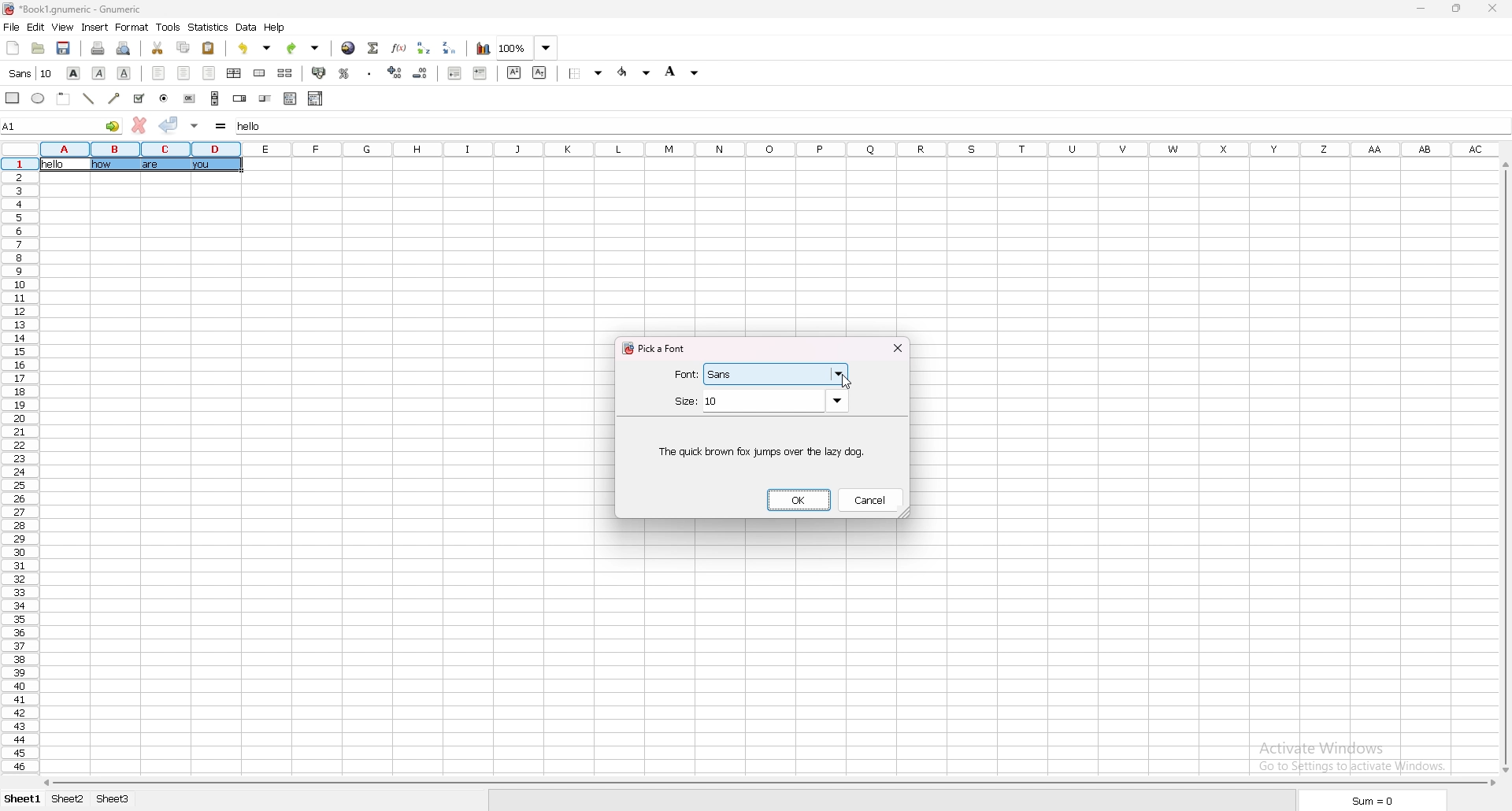 The image size is (1512, 811). Describe the element at coordinates (869, 500) in the screenshot. I see `cancel` at that location.